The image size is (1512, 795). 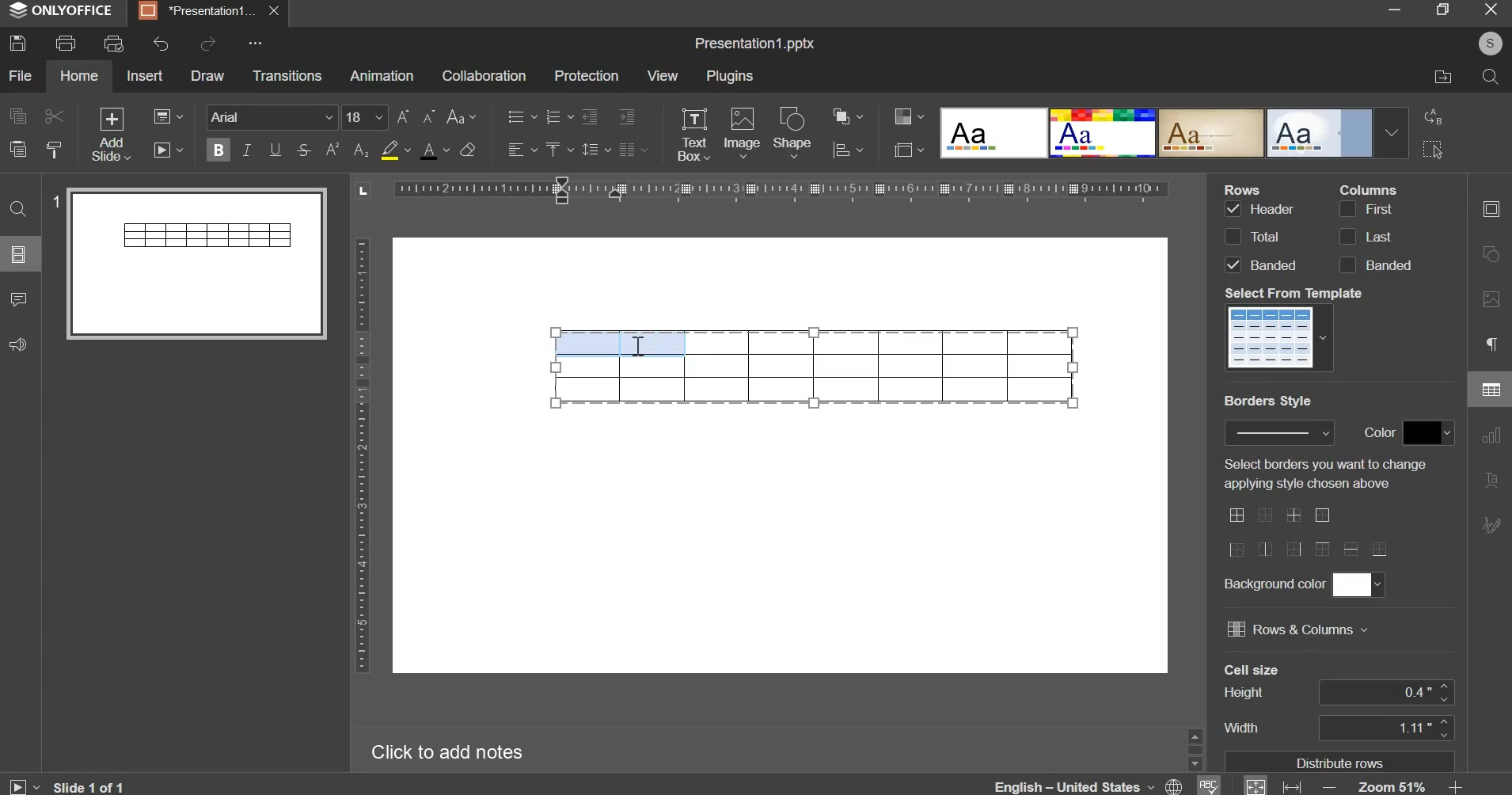 What do you see at coordinates (461, 117) in the screenshot?
I see `change case` at bounding box center [461, 117].